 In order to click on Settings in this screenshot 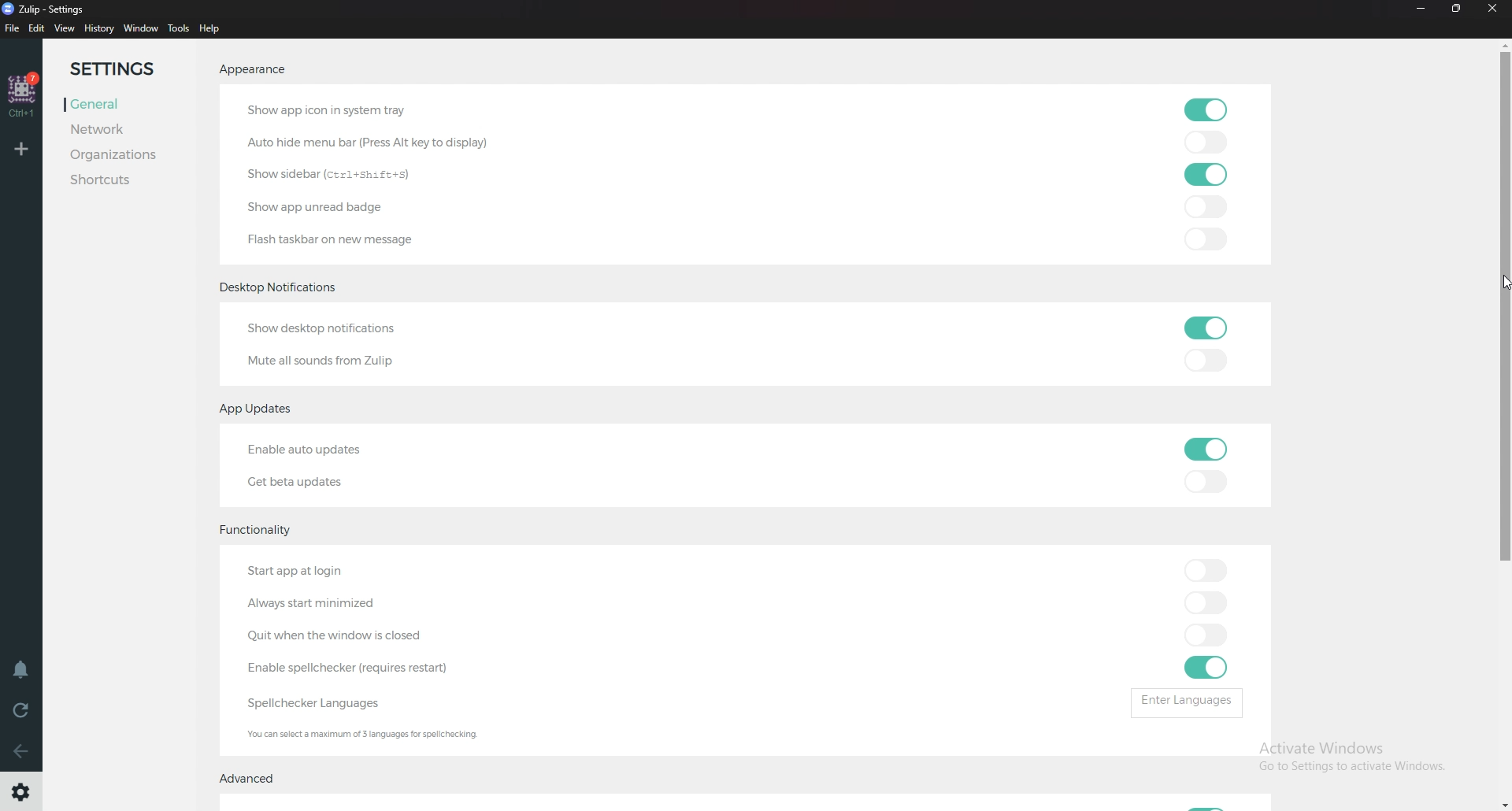, I will do `click(24, 790)`.